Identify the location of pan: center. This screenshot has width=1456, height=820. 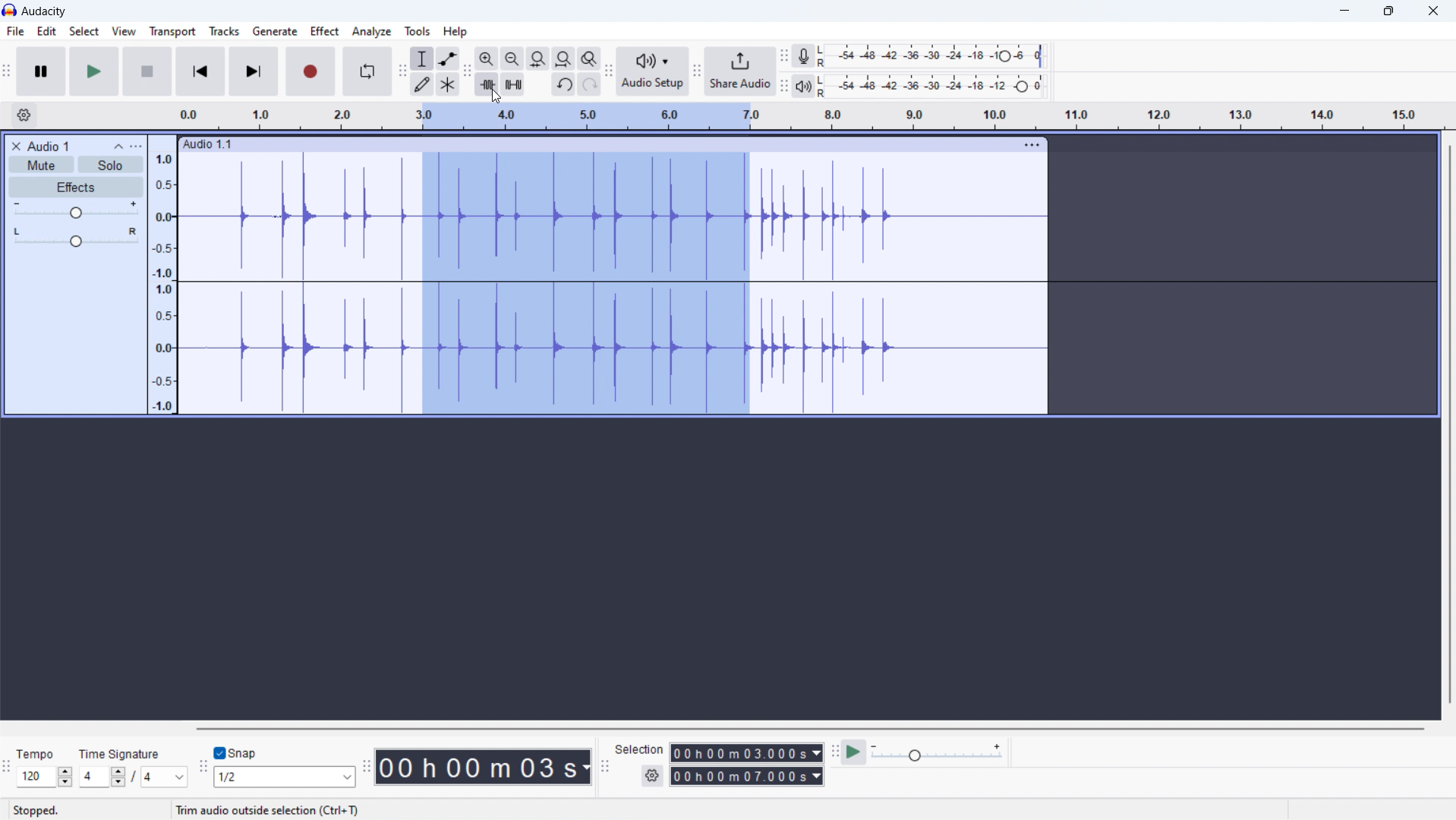
(76, 237).